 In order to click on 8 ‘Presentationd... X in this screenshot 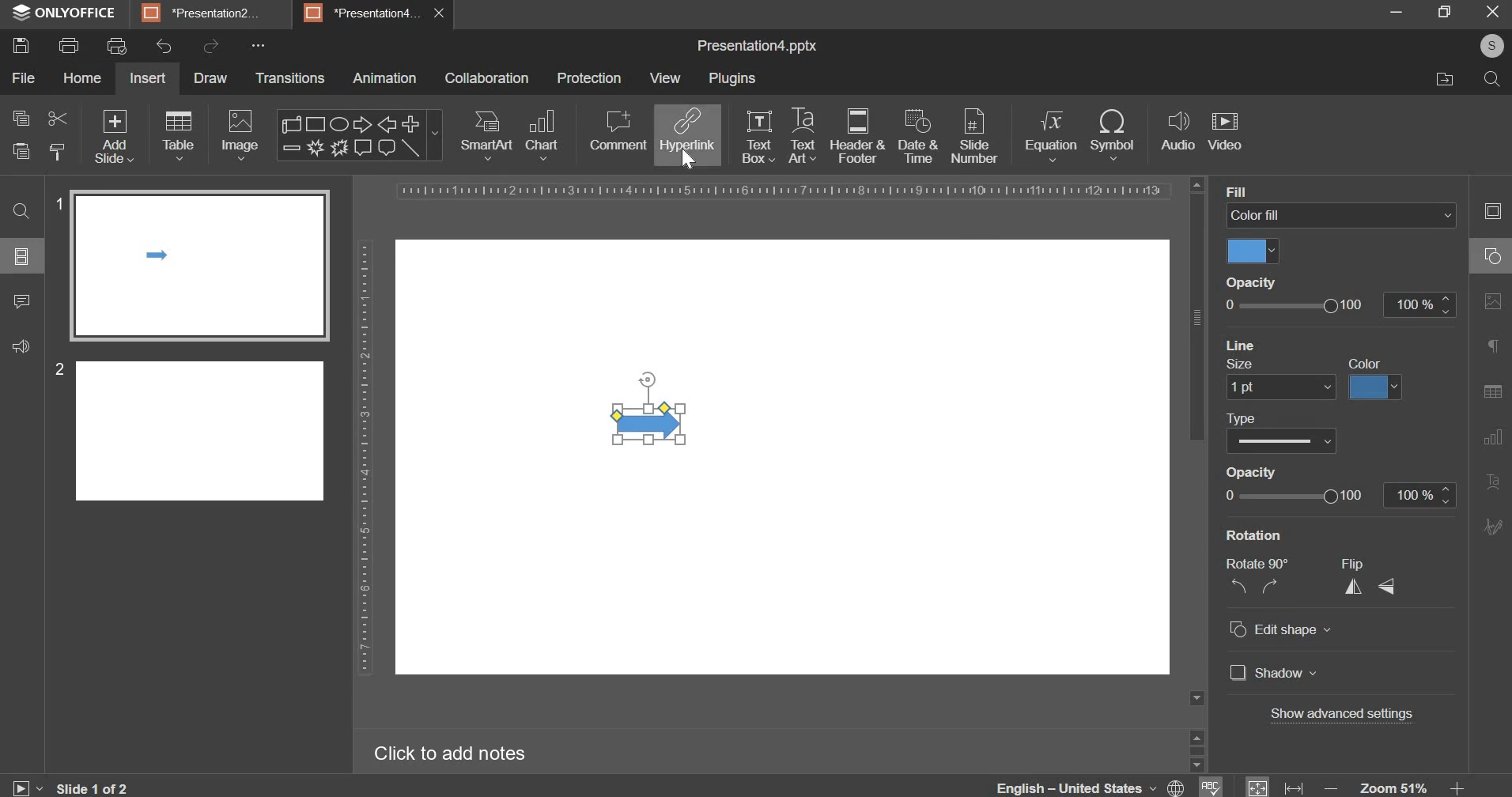, I will do `click(376, 12)`.